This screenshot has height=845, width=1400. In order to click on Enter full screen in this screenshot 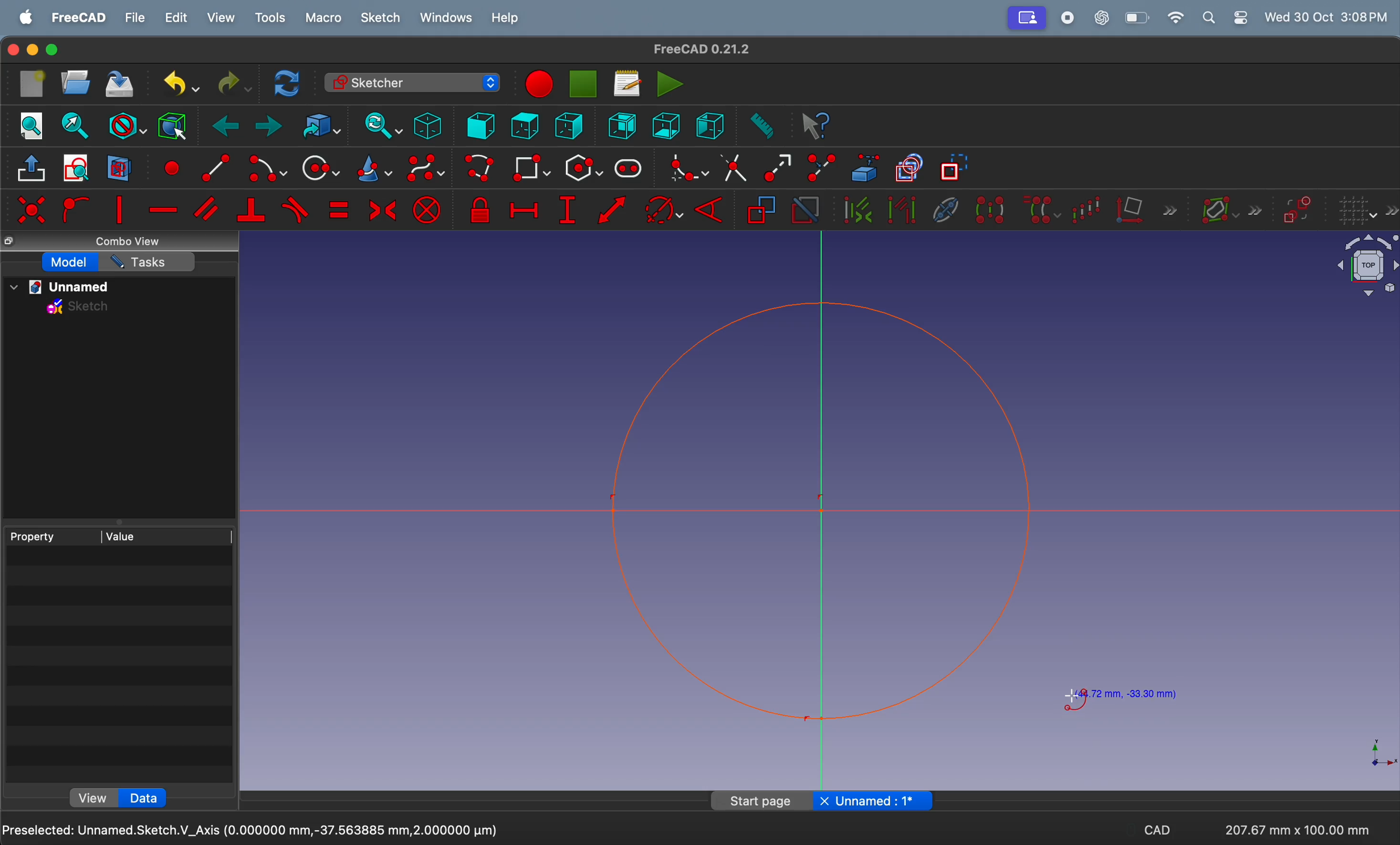, I will do `click(53, 50)`.